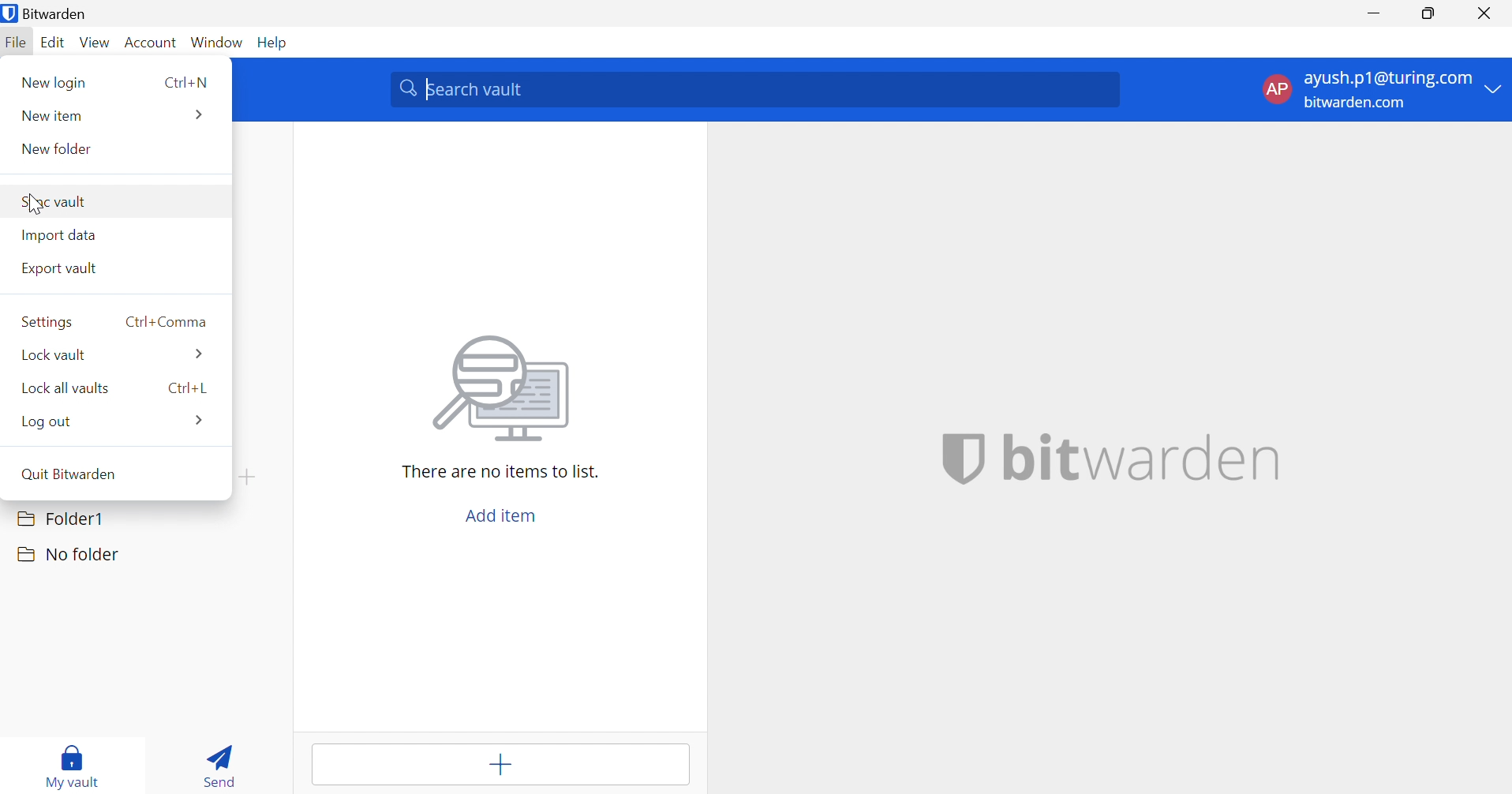  I want to click on Log Out, so click(51, 421).